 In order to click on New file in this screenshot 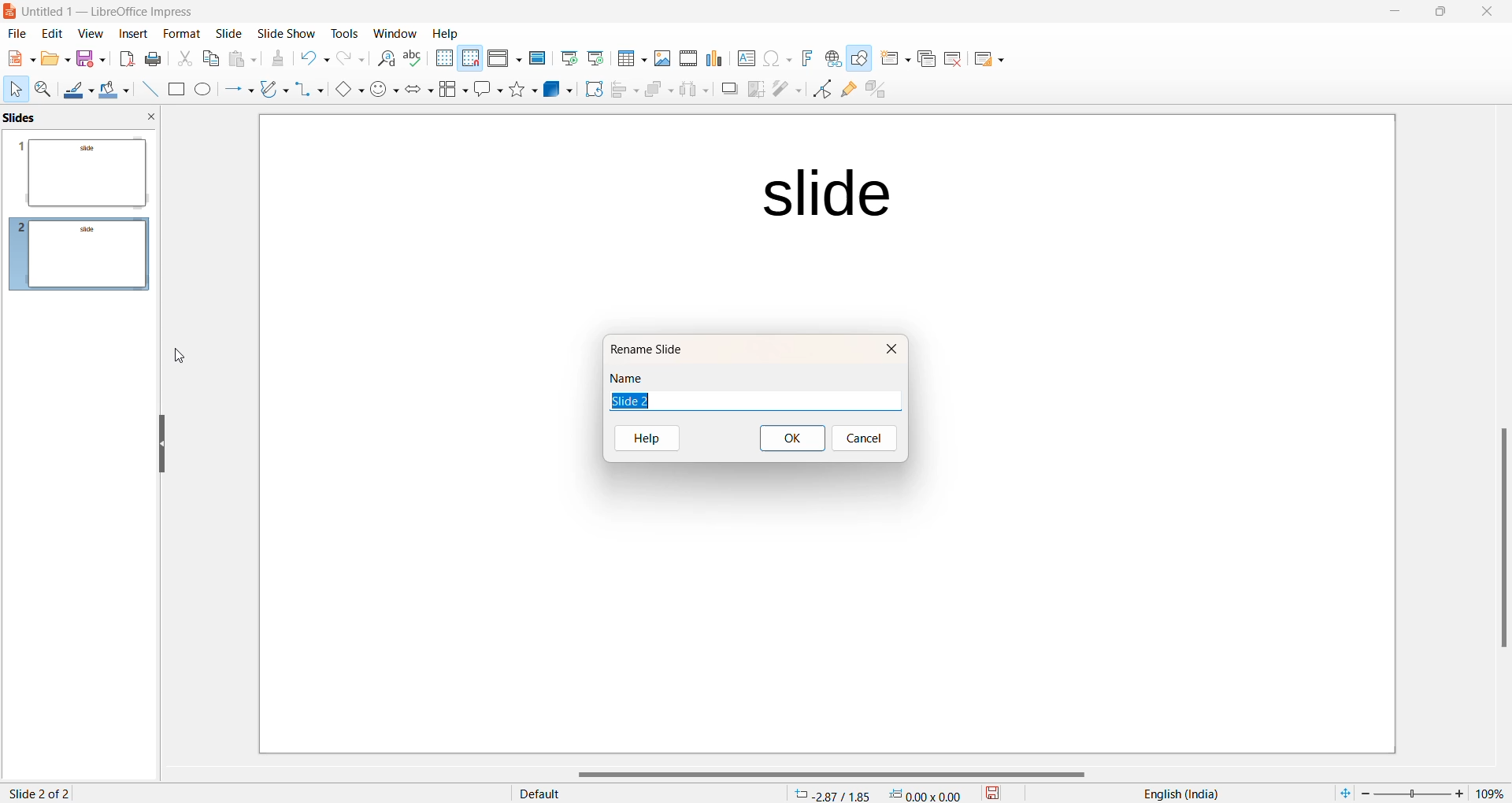, I will do `click(18, 57)`.